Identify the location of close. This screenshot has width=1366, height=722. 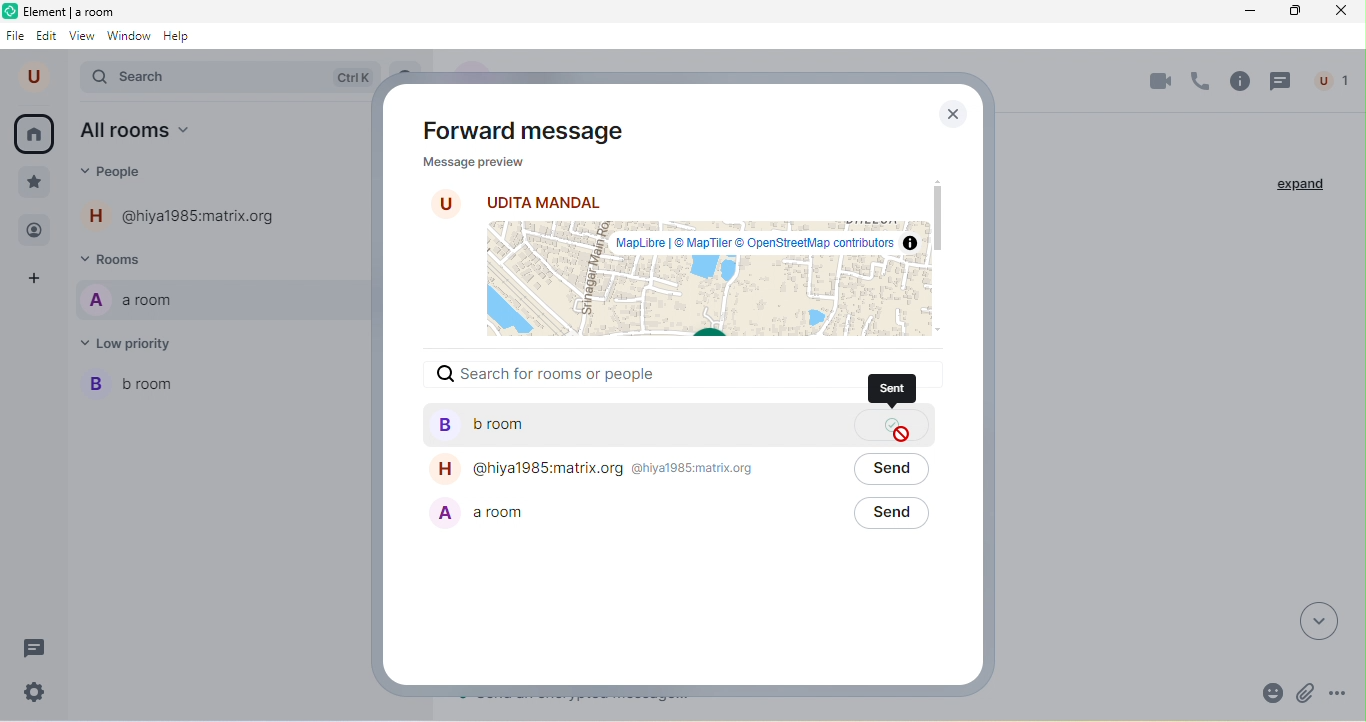
(1343, 12).